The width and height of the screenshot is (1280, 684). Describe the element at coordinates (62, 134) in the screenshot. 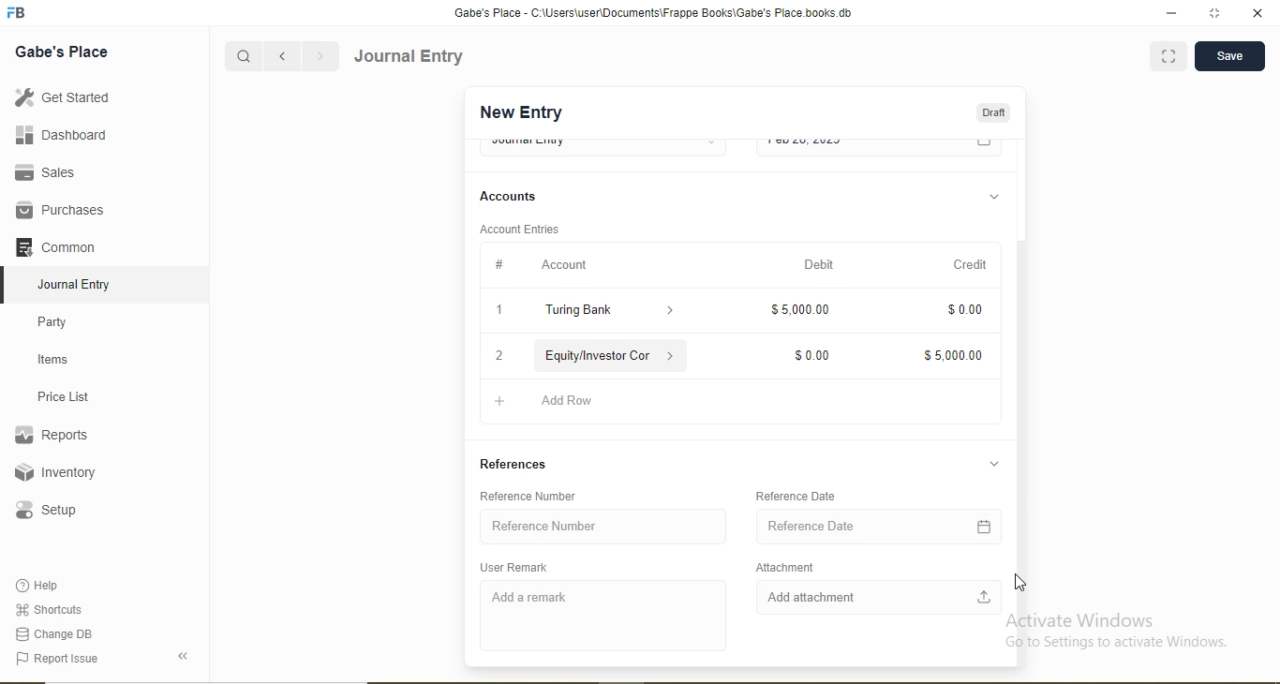

I see `Dashboard` at that location.